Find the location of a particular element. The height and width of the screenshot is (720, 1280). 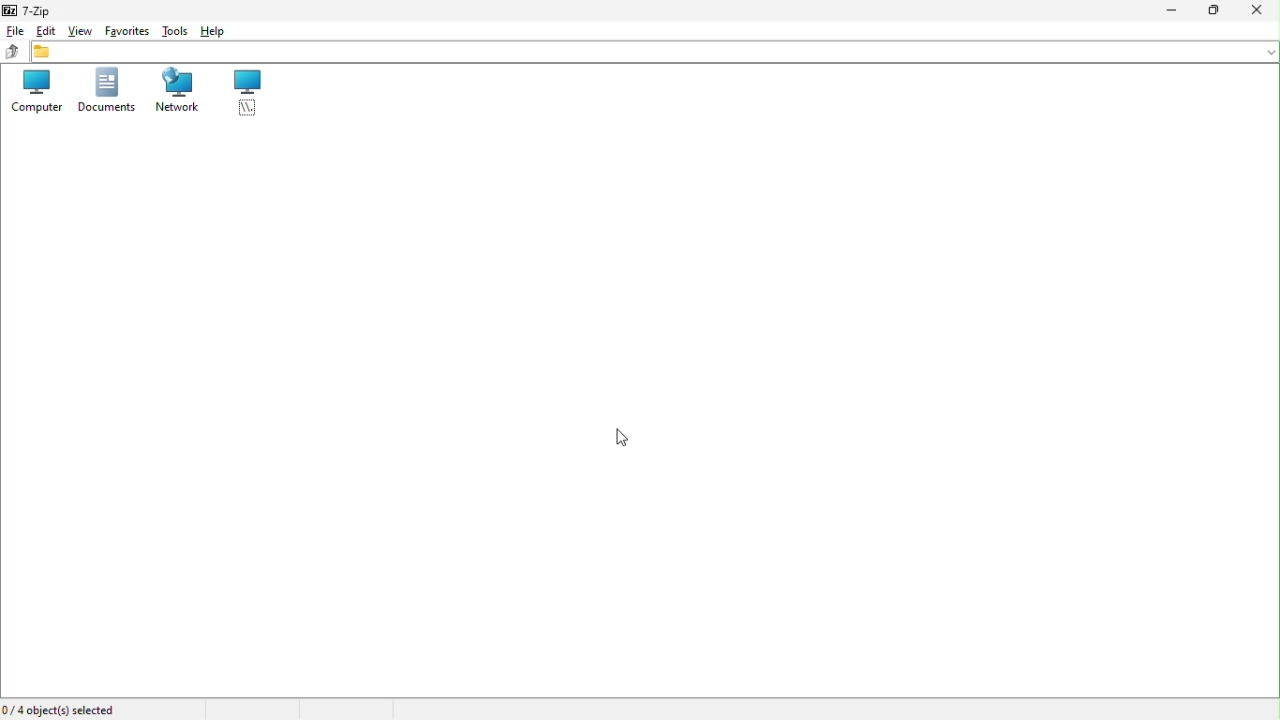

Tools is located at coordinates (176, 30).